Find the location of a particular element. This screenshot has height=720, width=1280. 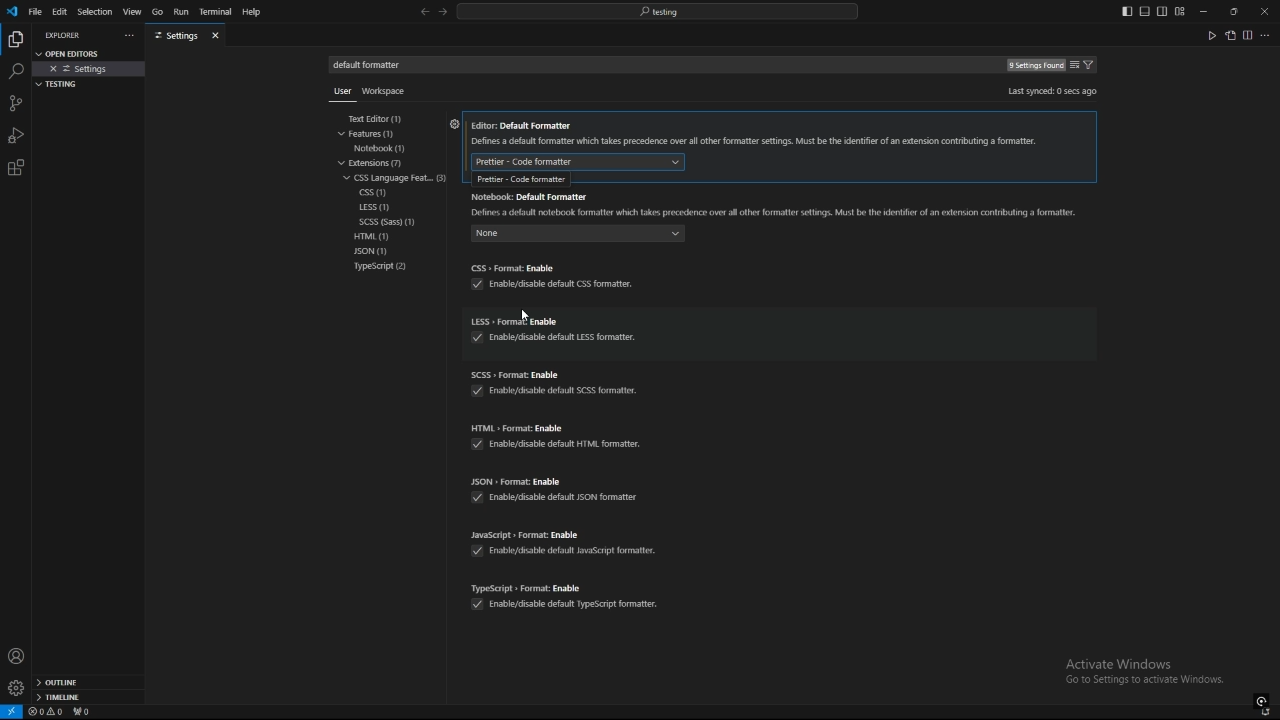

timeline is located at coordinates (88, 699).